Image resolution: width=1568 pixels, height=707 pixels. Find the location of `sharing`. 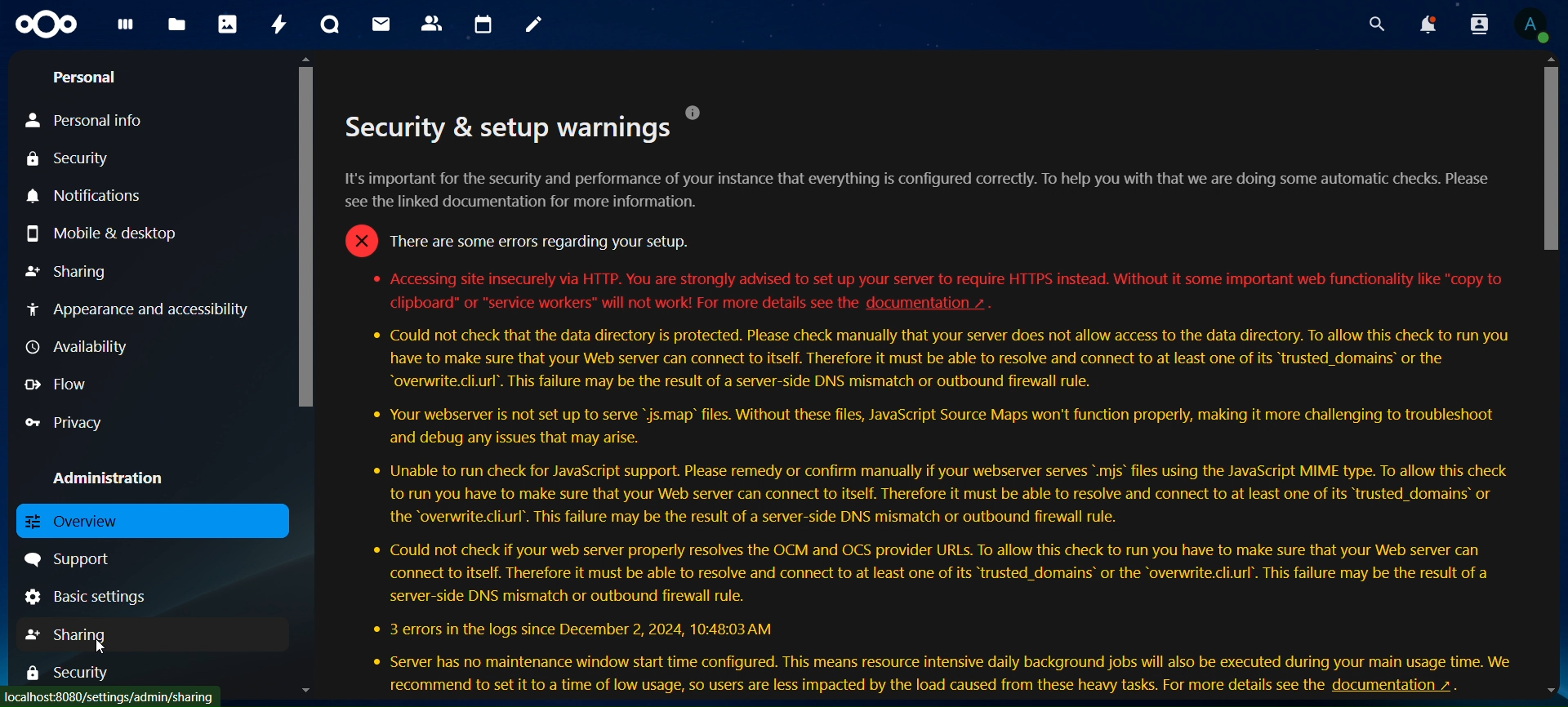

sharing is located at coordinates (74, 271).